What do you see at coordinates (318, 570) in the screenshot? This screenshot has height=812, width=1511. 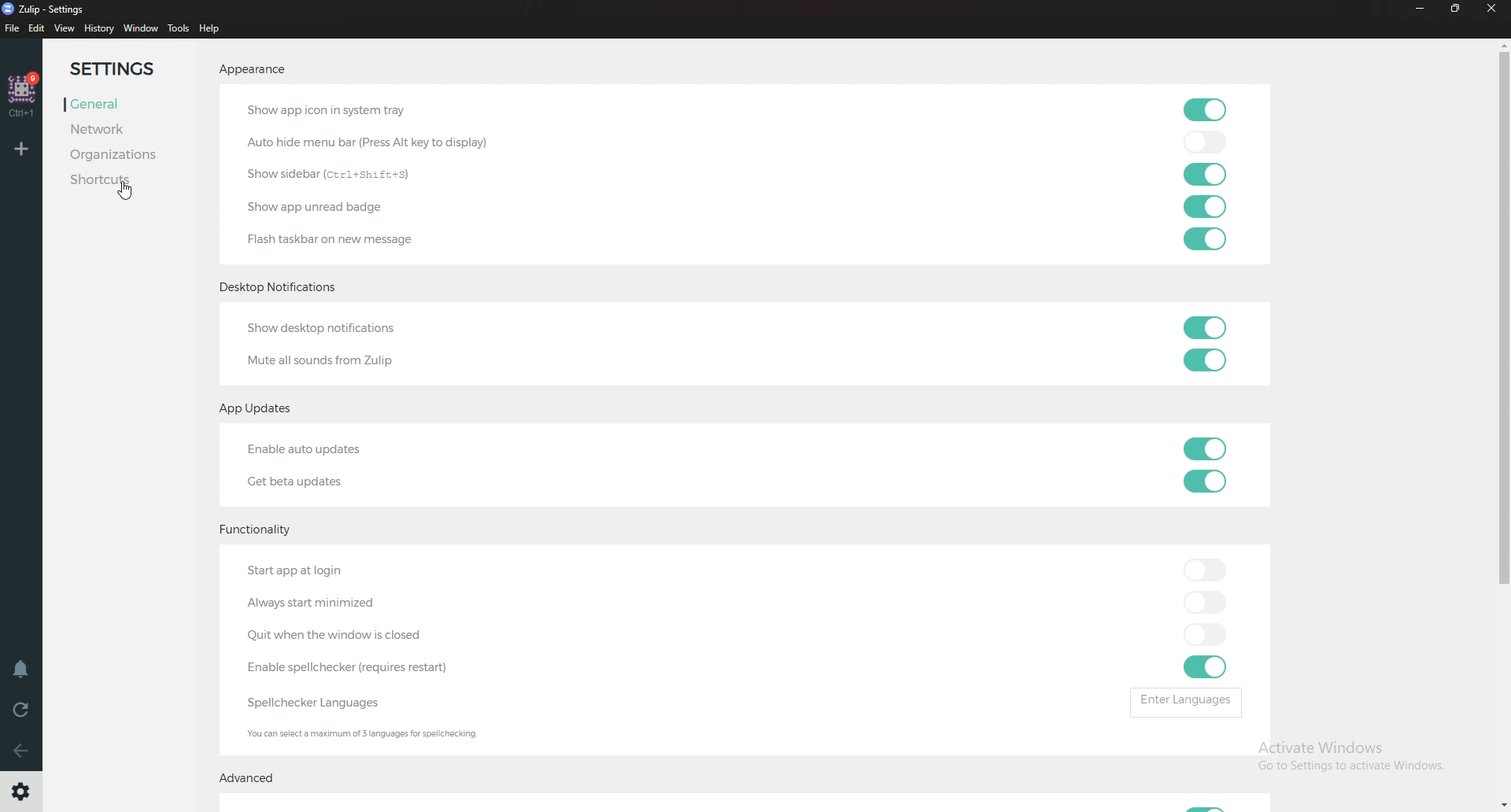 I see `Start app at login` at bounding box center [318, 570].